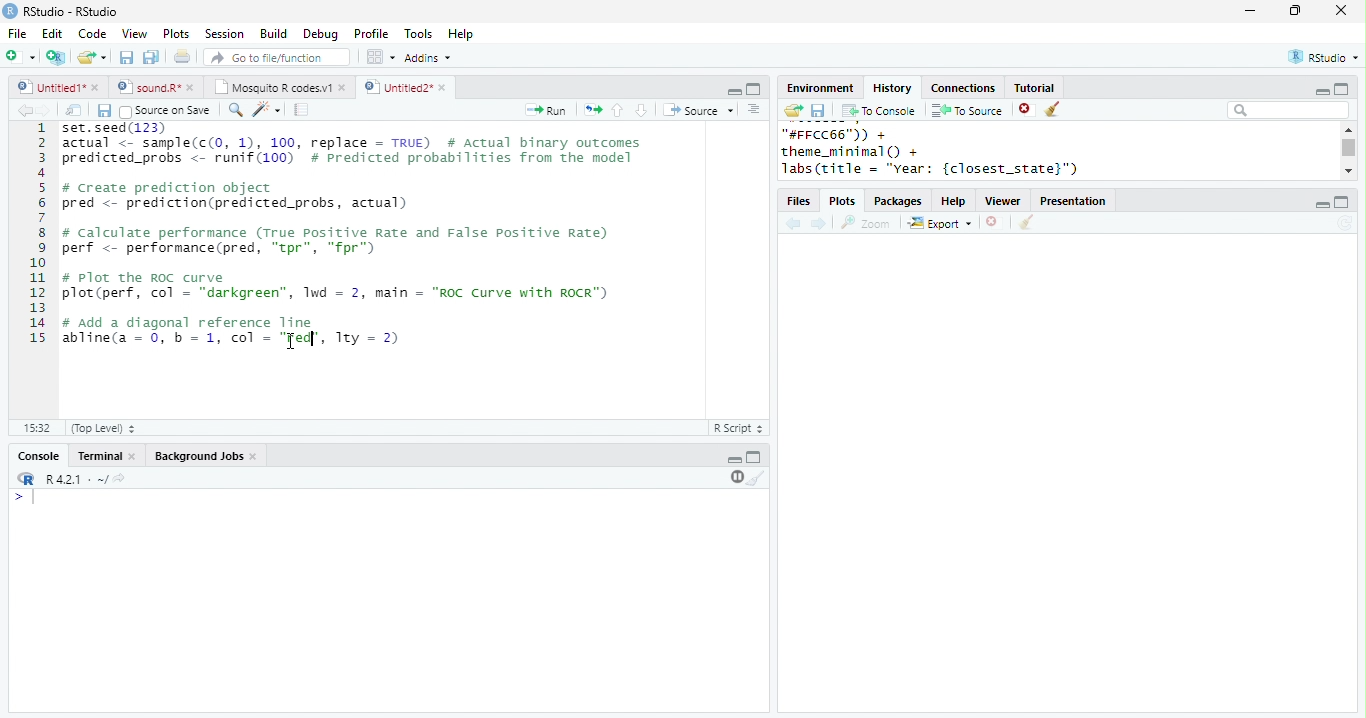 The image size is (1366, 718). Describe the element at coordinates (126, 57) in the screenshot. I see `save` at that location.